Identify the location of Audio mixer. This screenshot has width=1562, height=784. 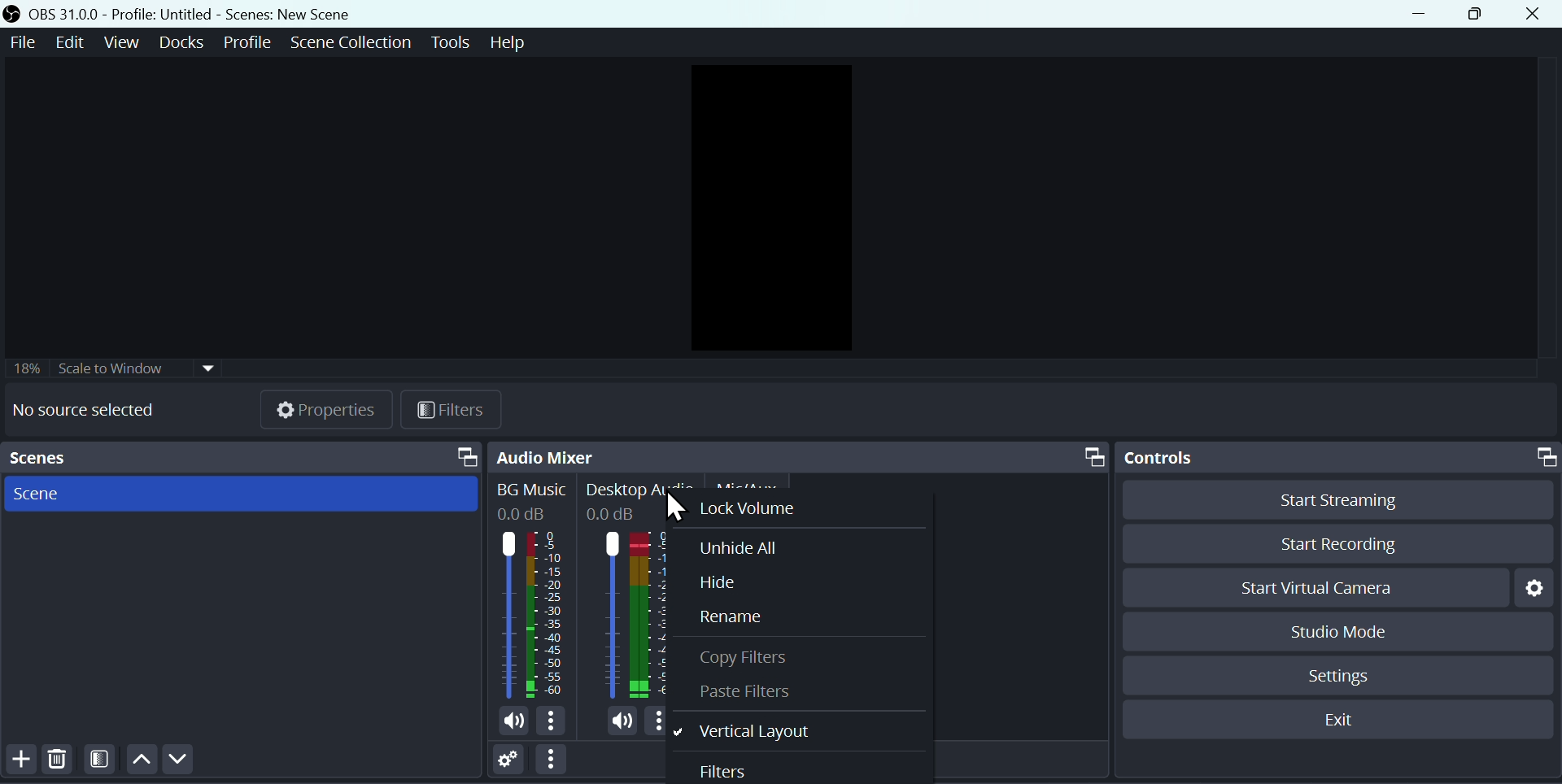
(800, 458).